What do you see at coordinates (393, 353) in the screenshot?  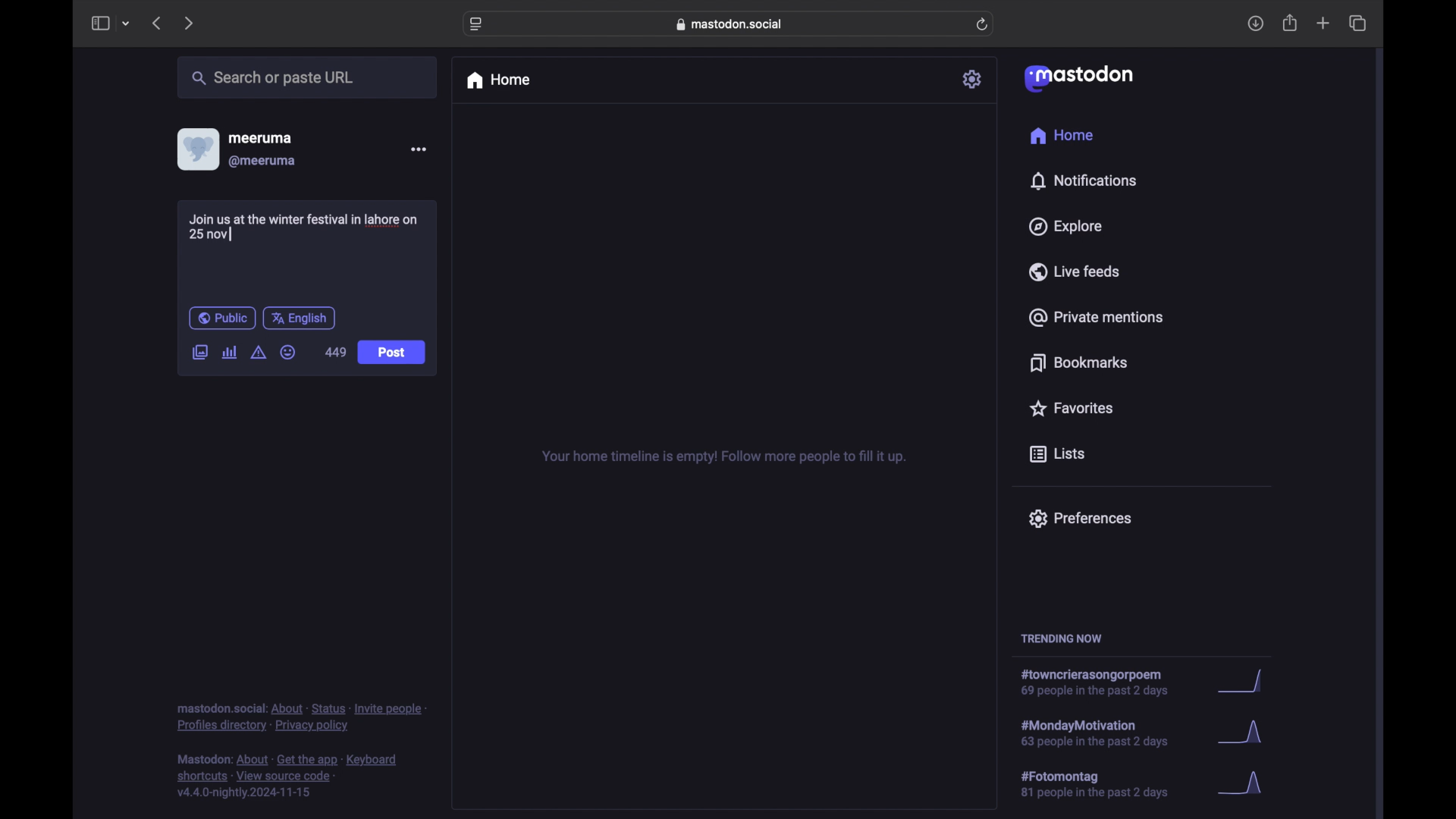 I see `Post` at bounding box center [393, 353].